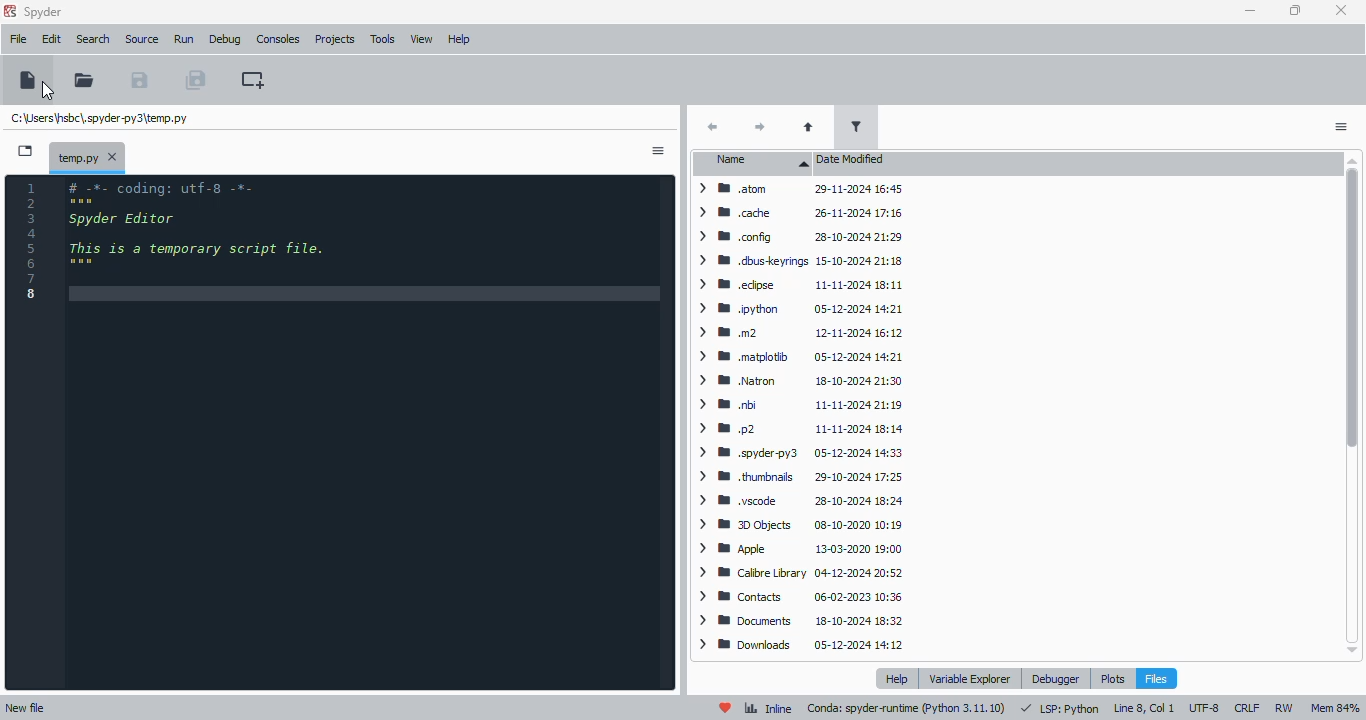 The image size is (1366, 720). I want to click on > BB .matplotib 05-12-2024 14:21, so click(799, 355).